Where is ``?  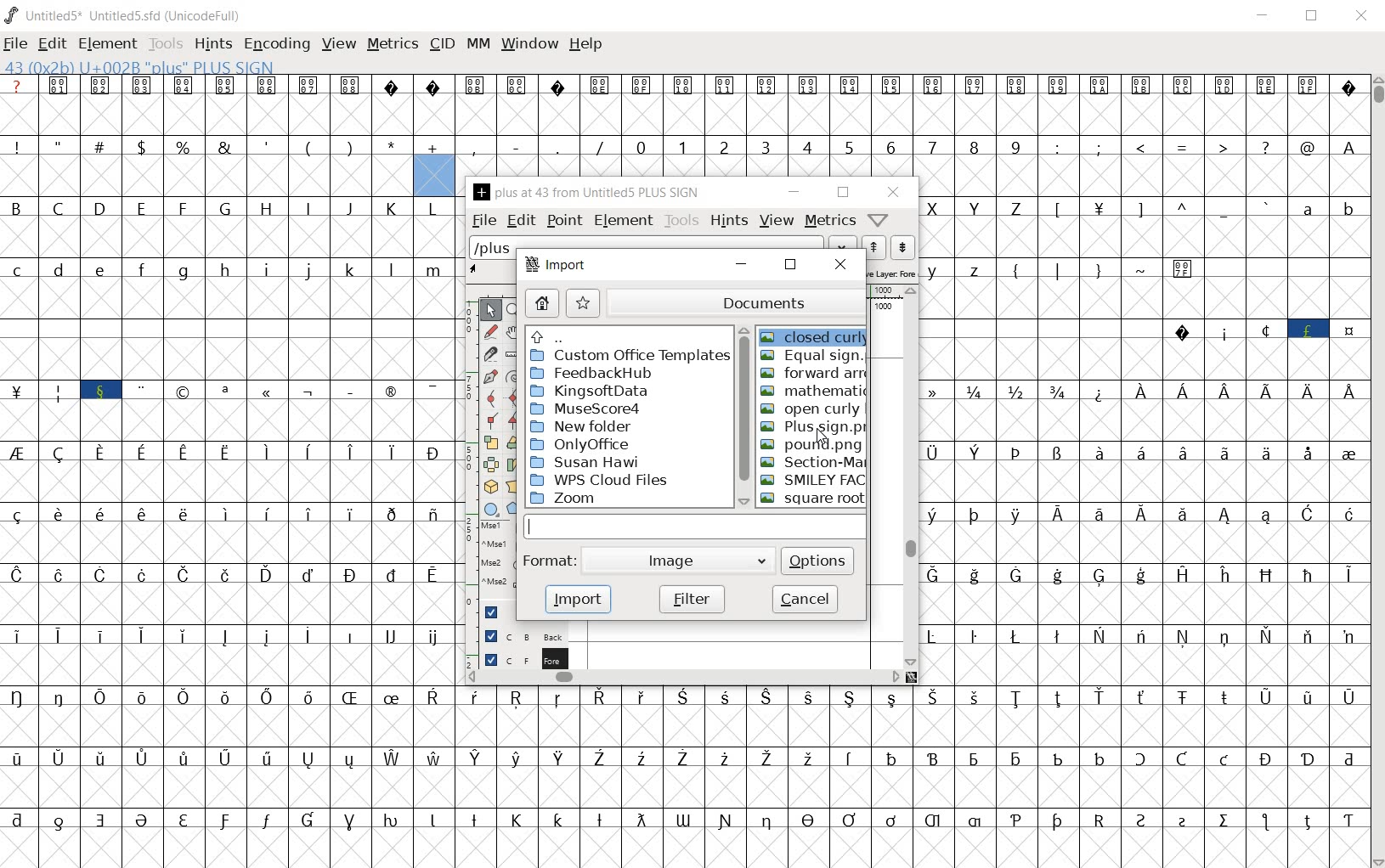
 is located at coordinates (997, 533).